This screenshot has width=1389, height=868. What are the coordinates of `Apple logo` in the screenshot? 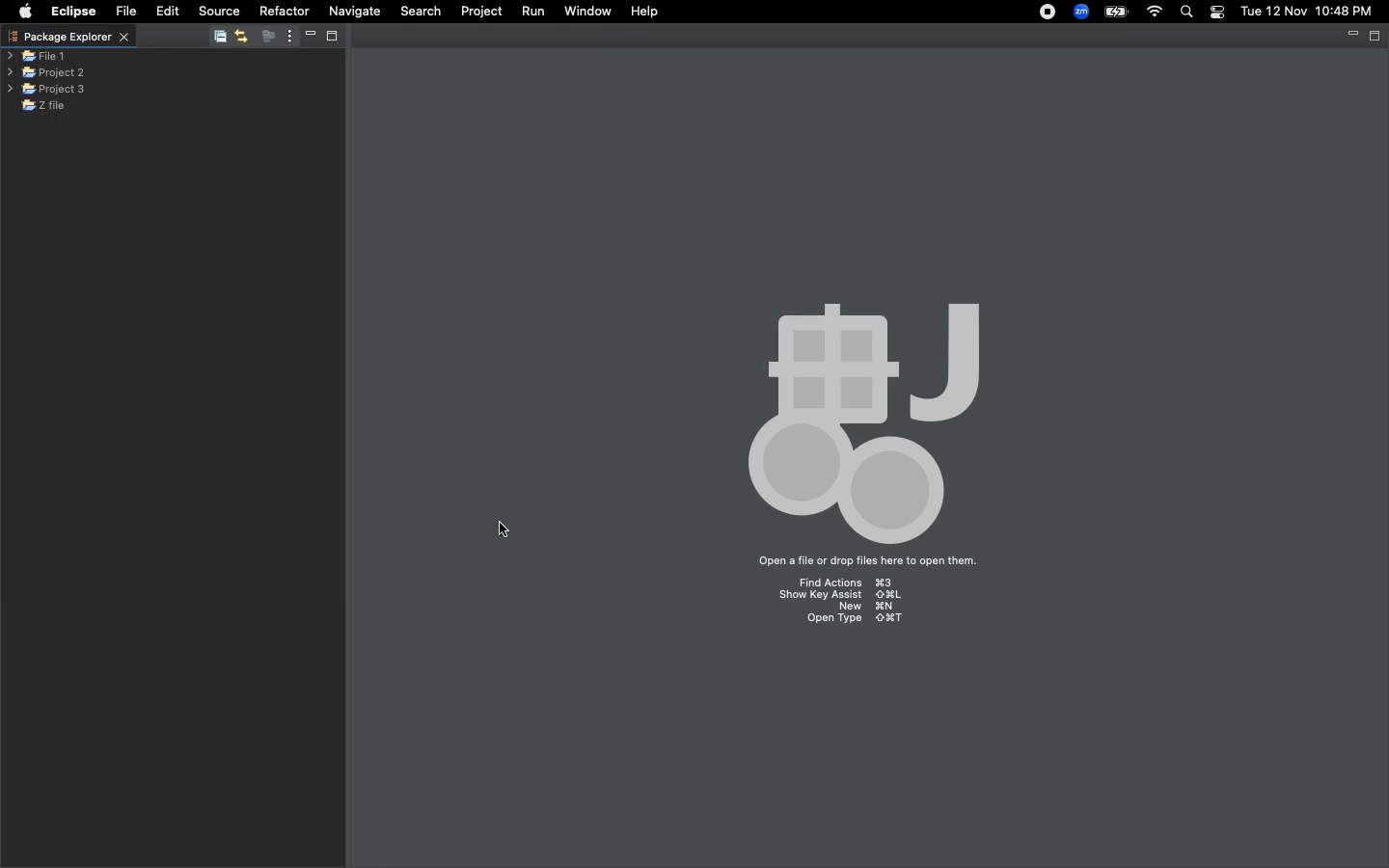 It's located at (25, 14).